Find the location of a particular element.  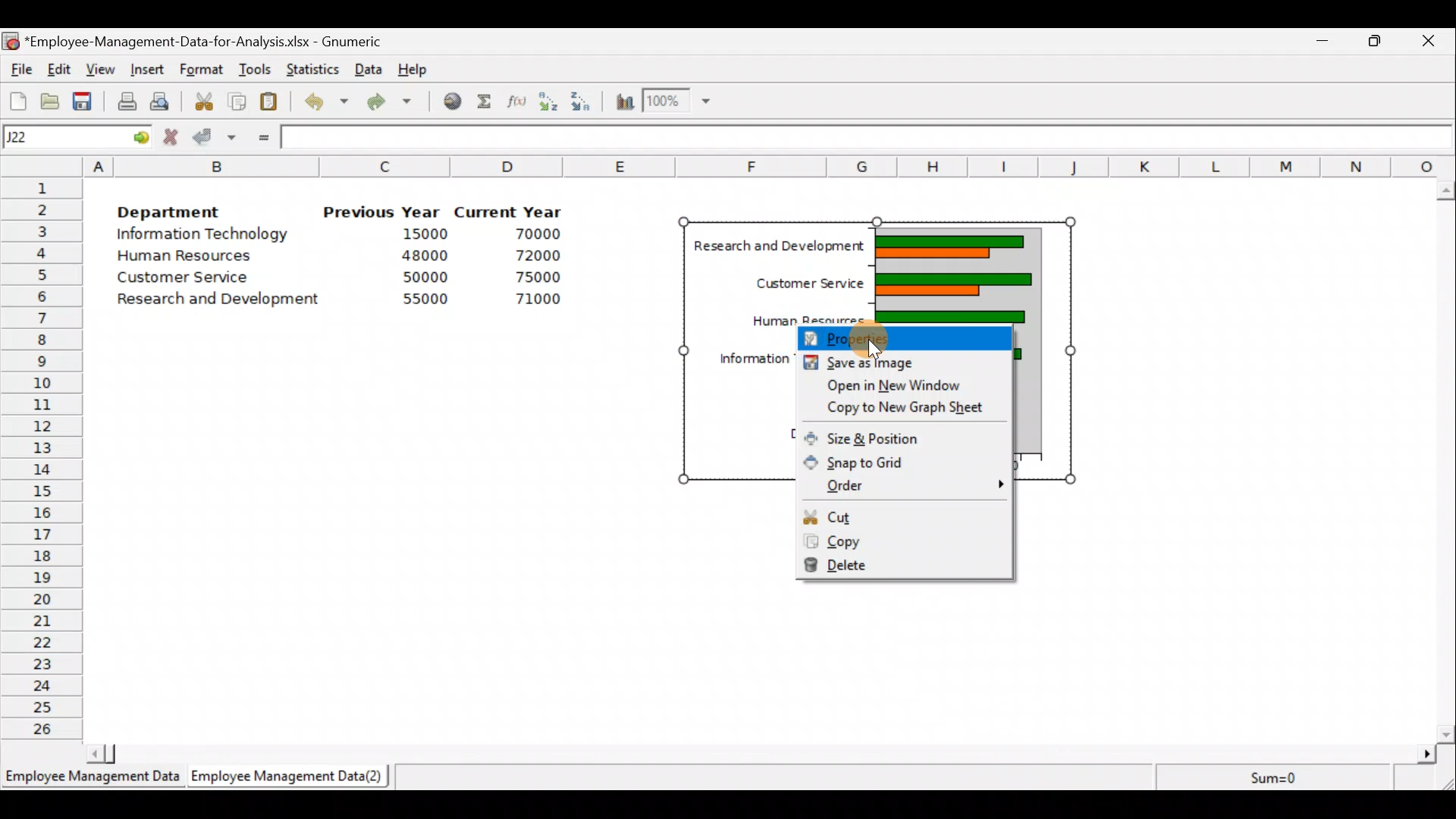

50000 is located at coordinates (422, 277).